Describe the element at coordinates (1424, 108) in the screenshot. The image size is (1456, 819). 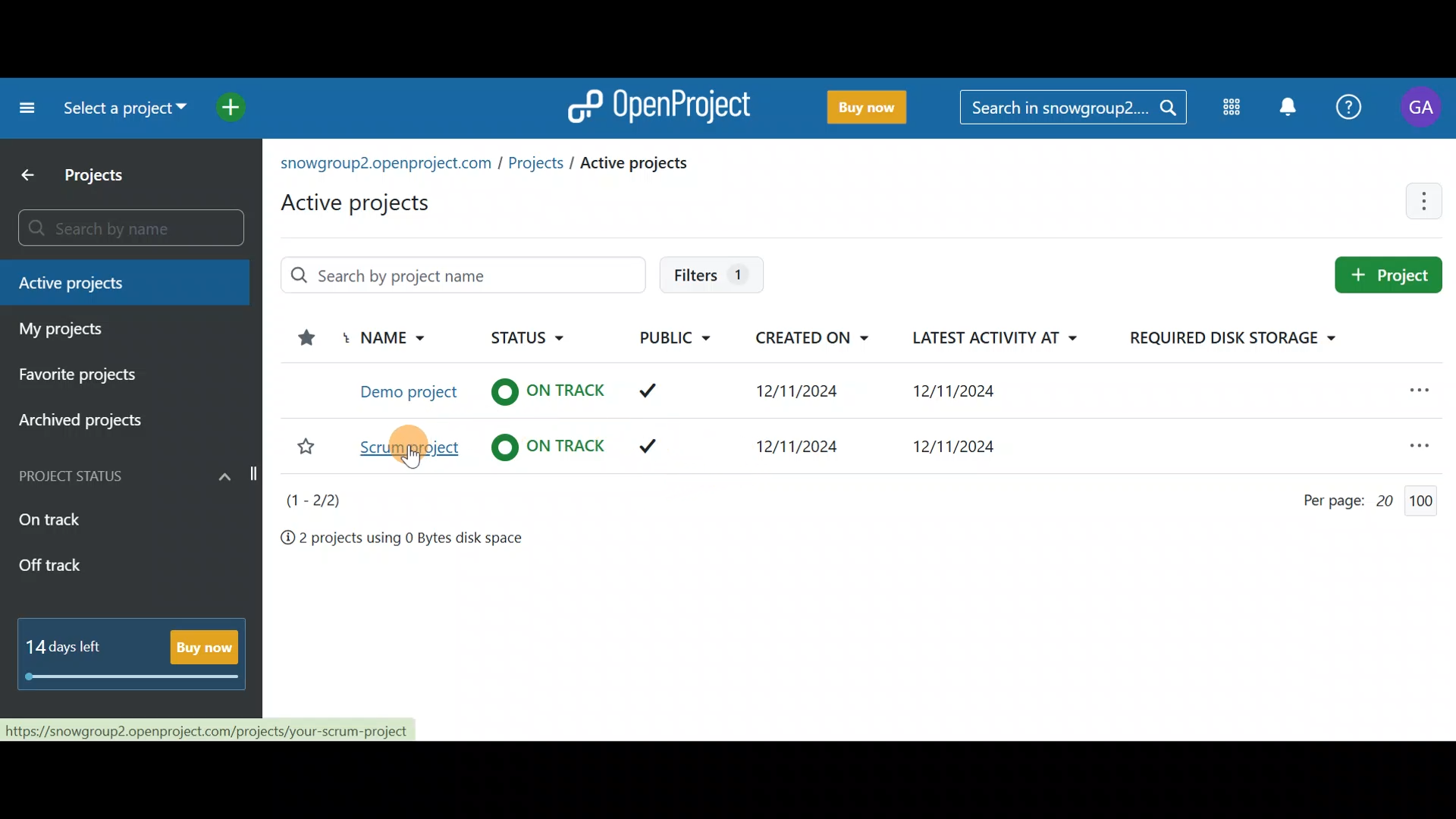
I see `Account name` at that location.